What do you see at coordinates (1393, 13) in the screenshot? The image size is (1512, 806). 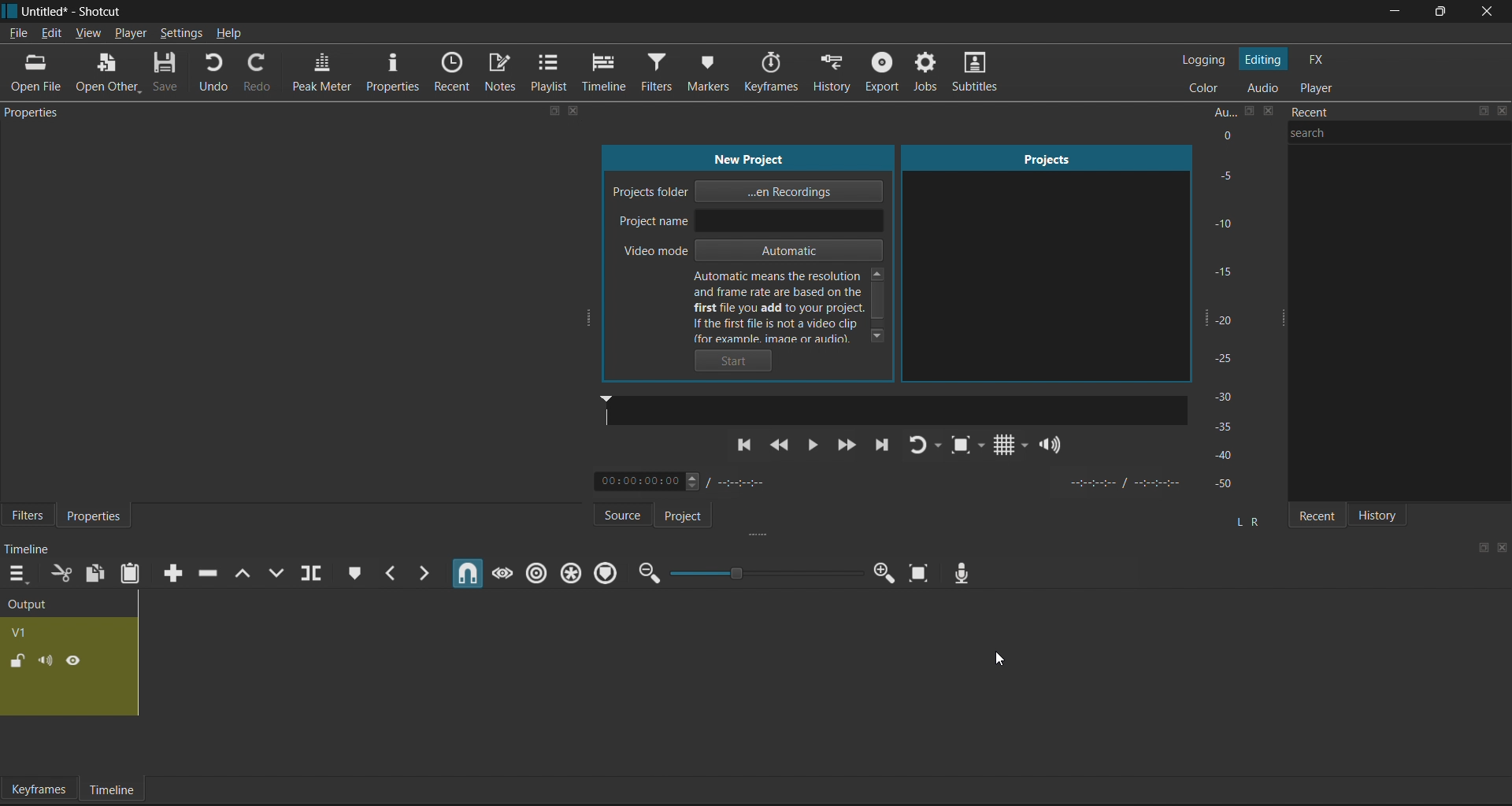 I see `minimize` at bounding box center [1393, 13].